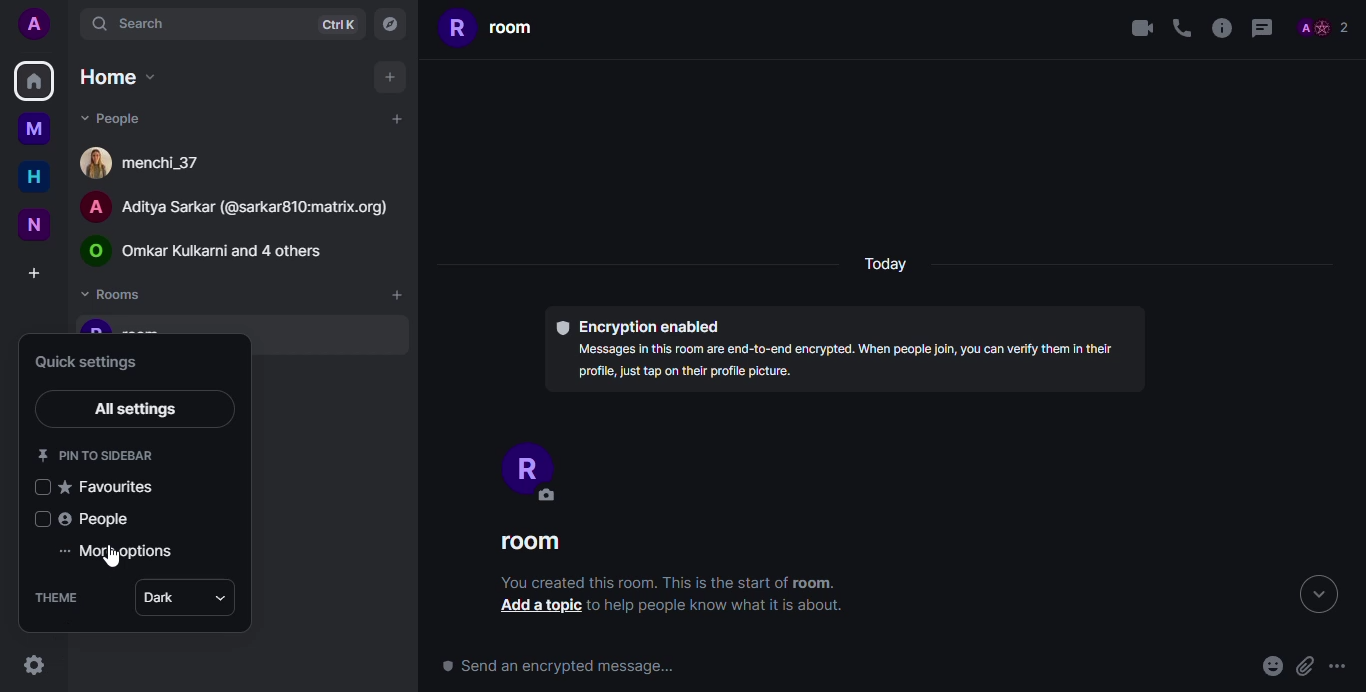  What do you see at coordinates (887, 264) in the screenshot?
I see `today` at bounding box center [887, 264].